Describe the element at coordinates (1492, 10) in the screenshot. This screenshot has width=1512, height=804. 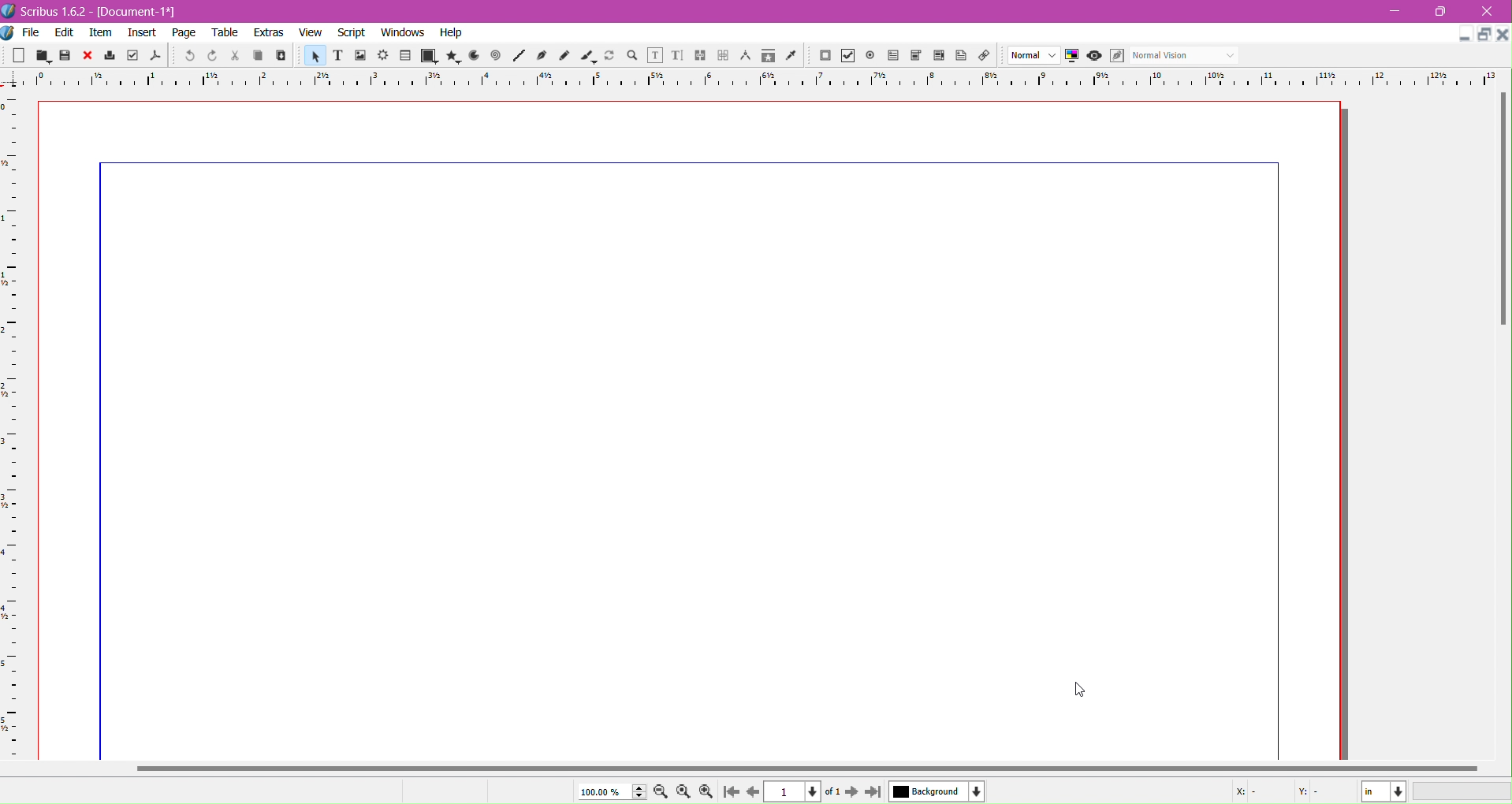
I see `close app` at that location.